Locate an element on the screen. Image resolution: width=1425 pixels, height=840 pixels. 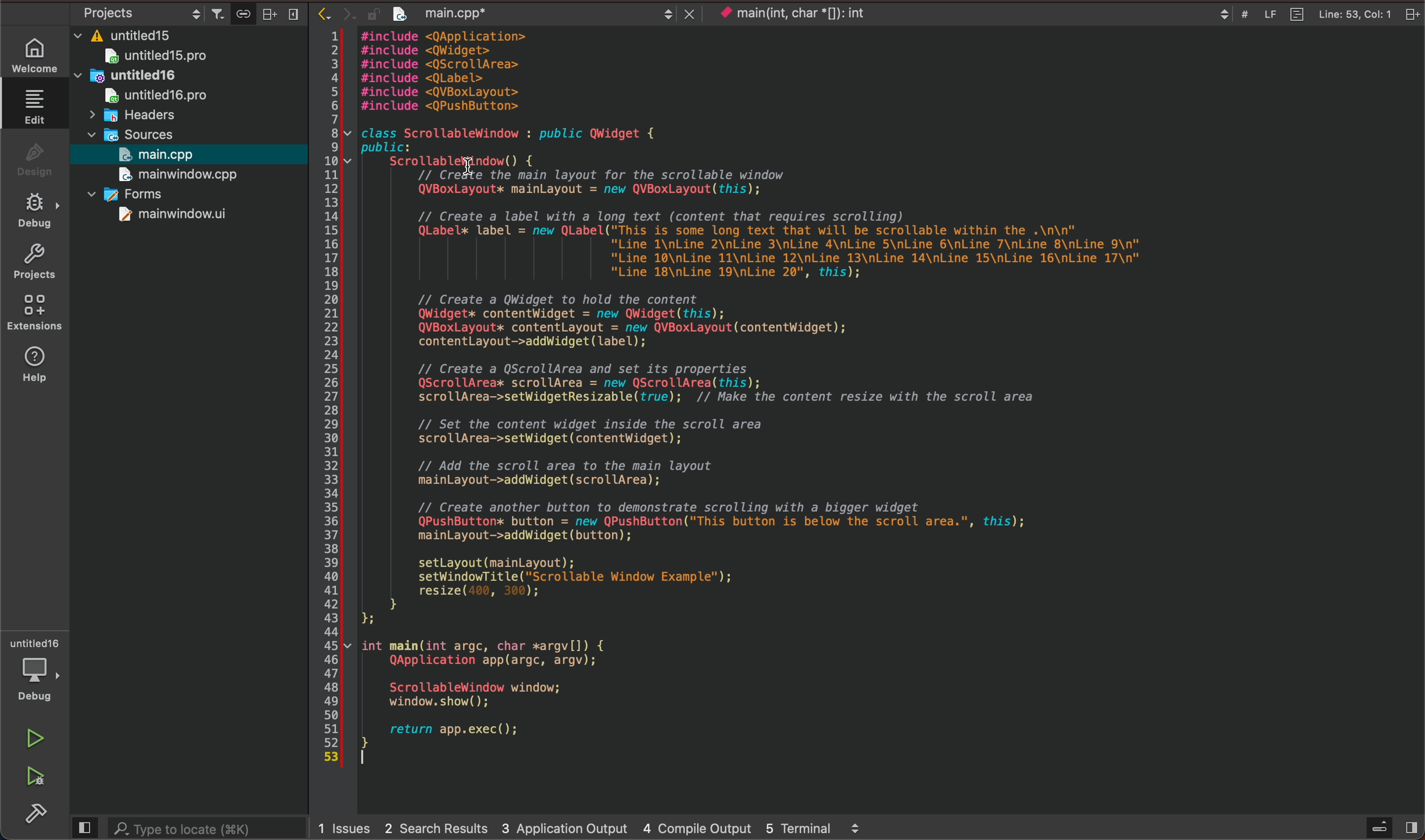
 is located at coordinates (244, 14).